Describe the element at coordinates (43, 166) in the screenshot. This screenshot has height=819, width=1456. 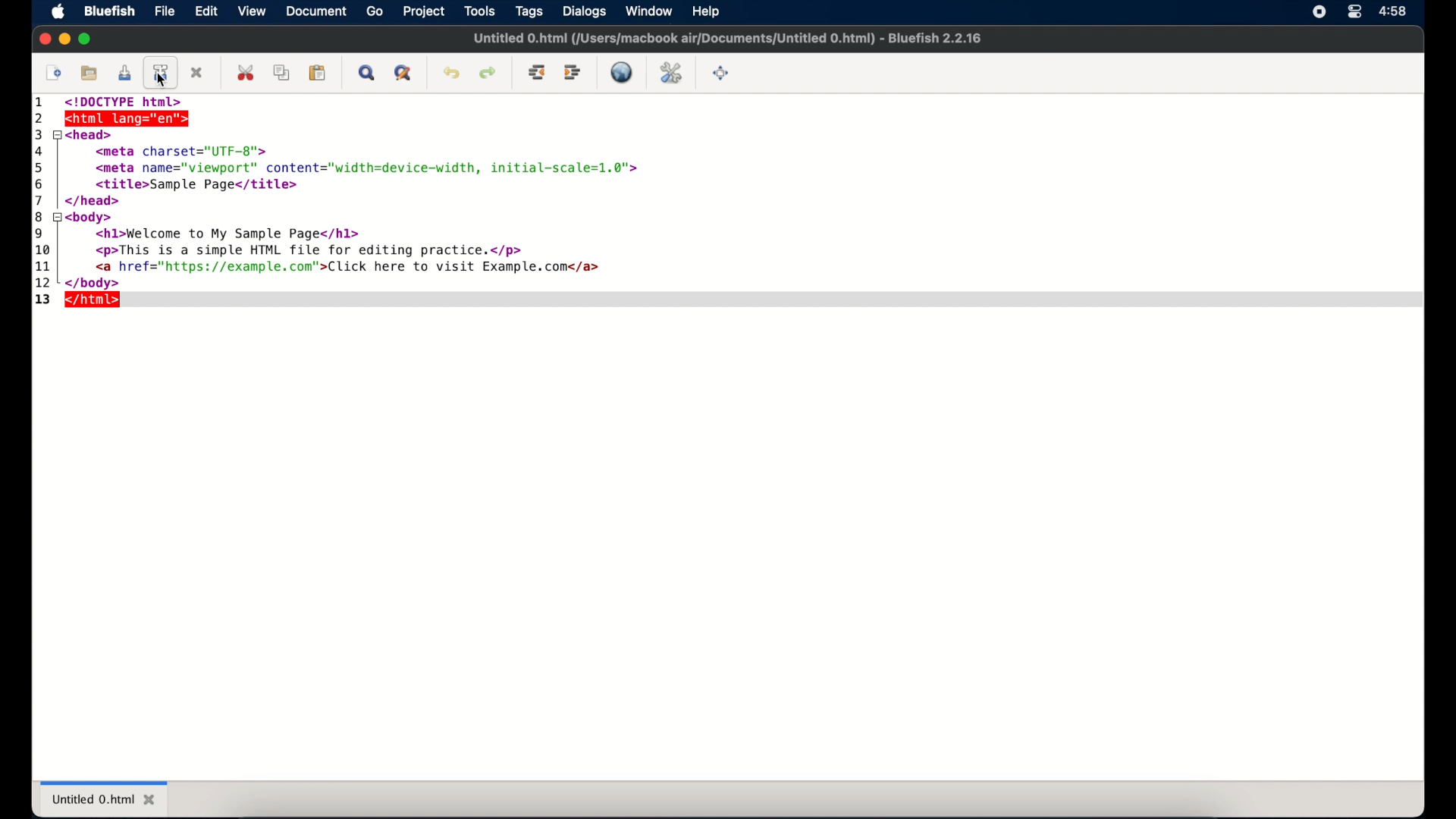
I see `5` at that location.